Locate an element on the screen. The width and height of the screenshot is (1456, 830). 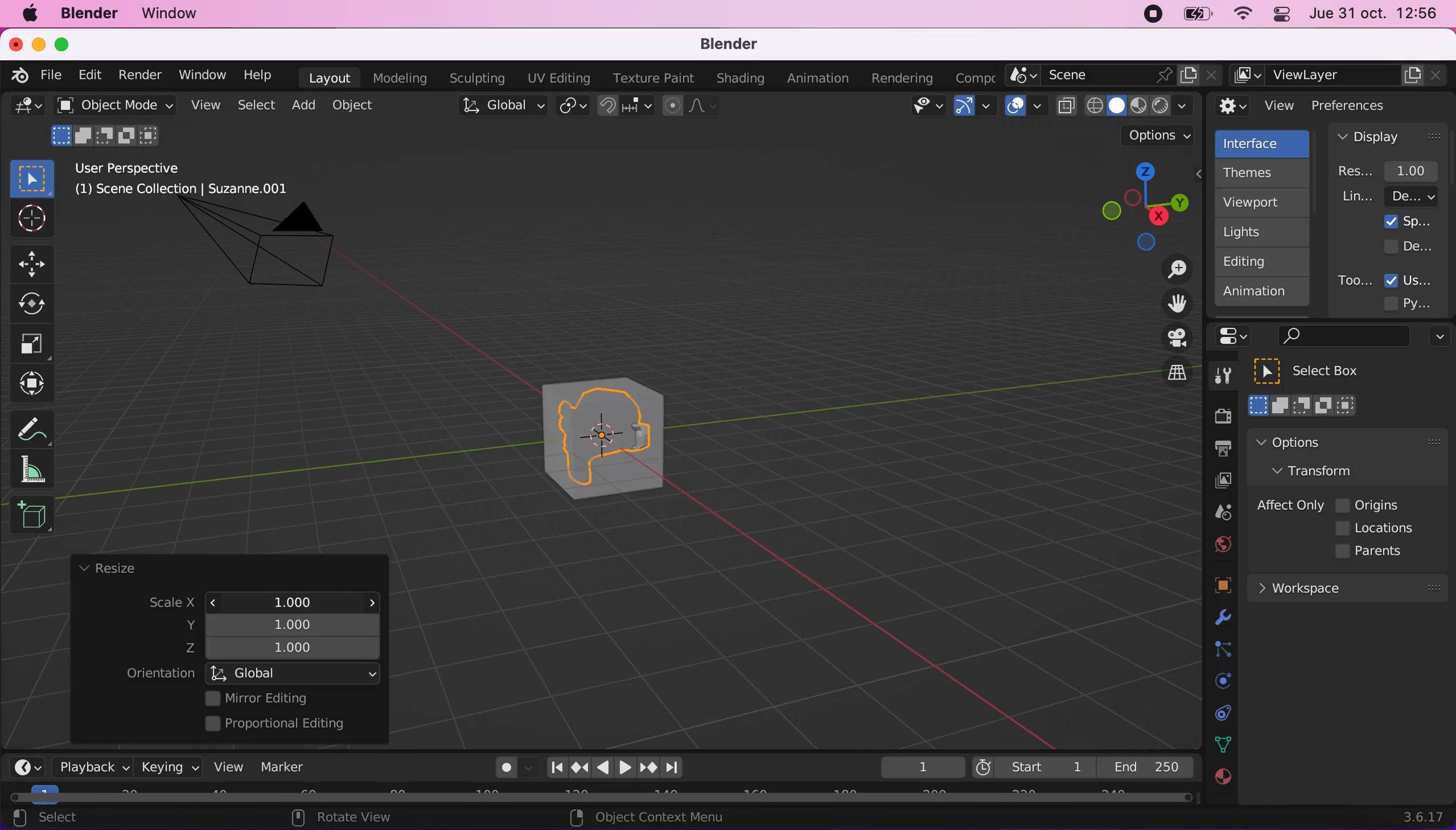
zoom in/out the view is located at coordinates (1171, 269).